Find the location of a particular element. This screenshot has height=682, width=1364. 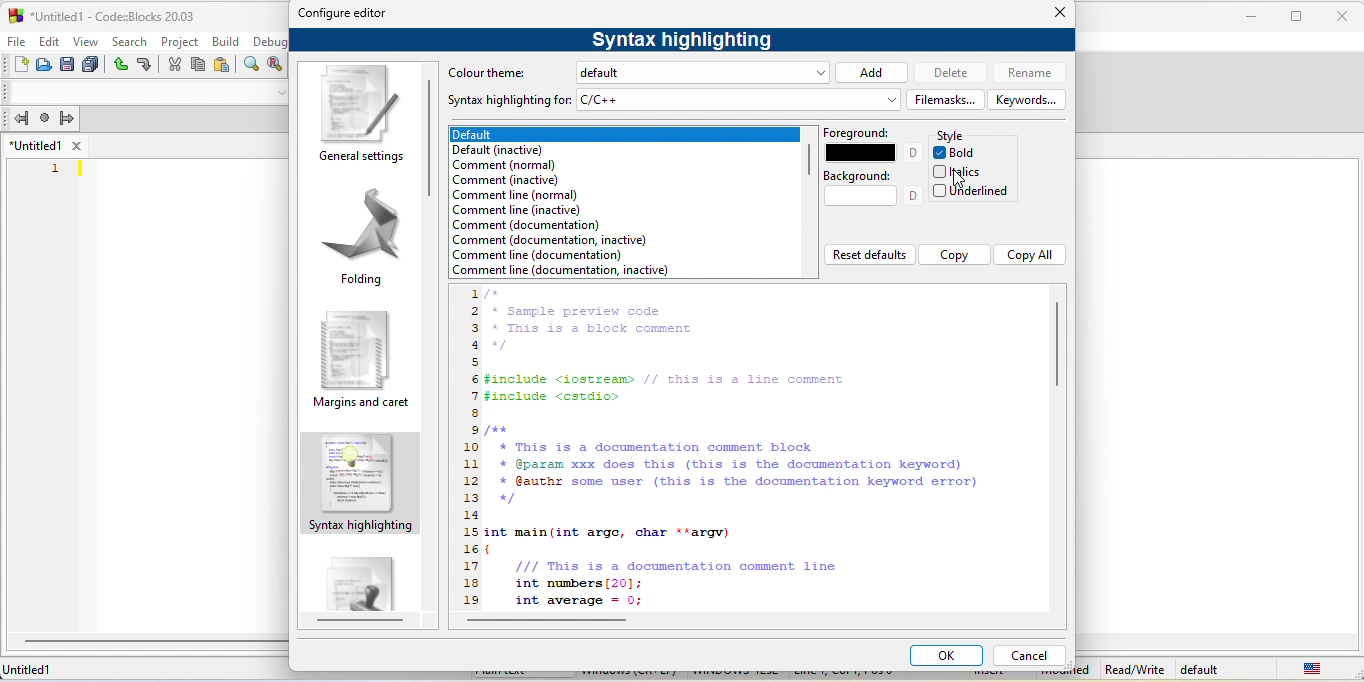

view is located at coordinates (85, 41).